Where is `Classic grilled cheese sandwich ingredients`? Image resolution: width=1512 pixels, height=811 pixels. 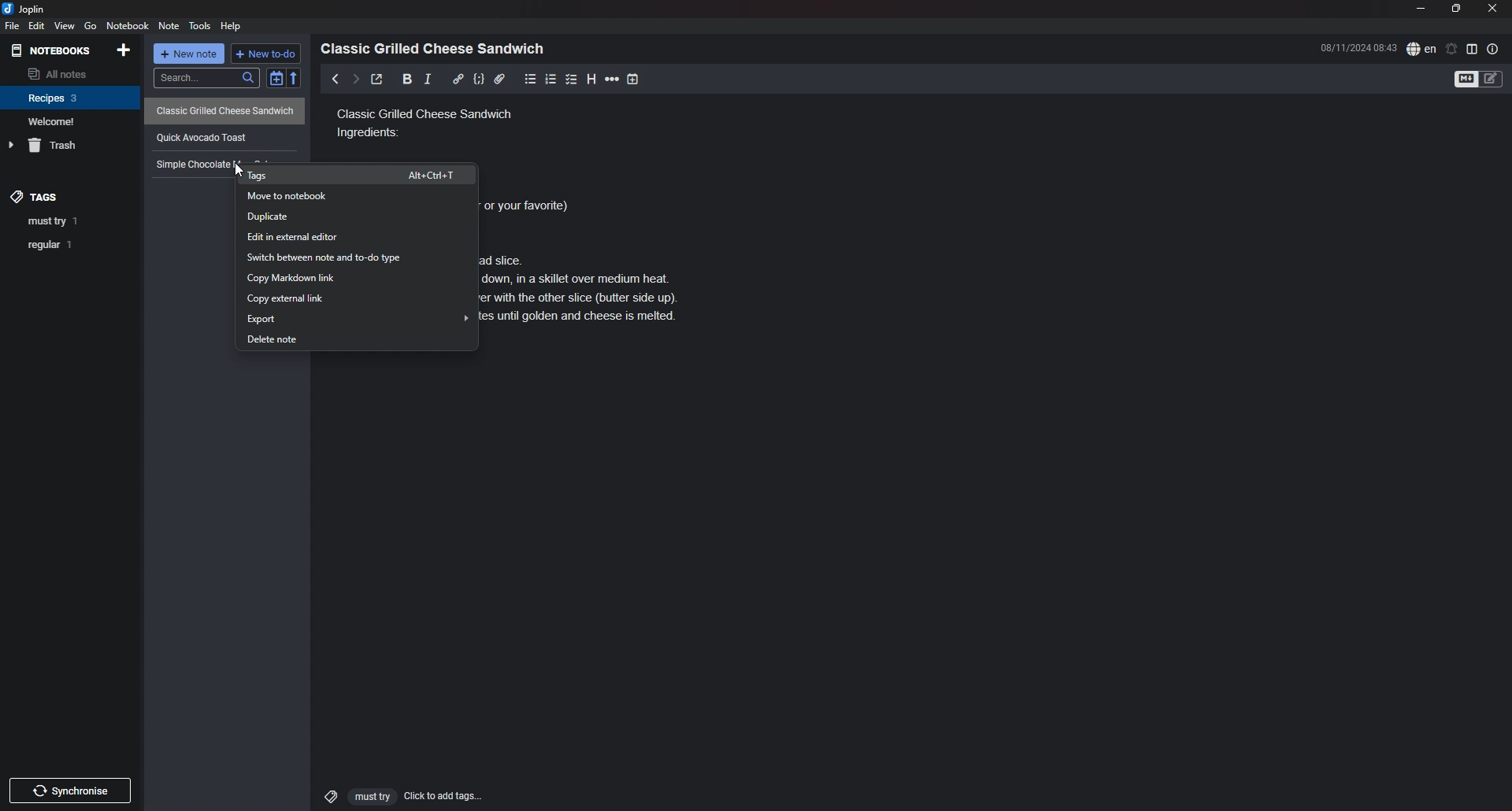
Classic grilled cheese sandwich ingredients is located at coordinates (524, 124).